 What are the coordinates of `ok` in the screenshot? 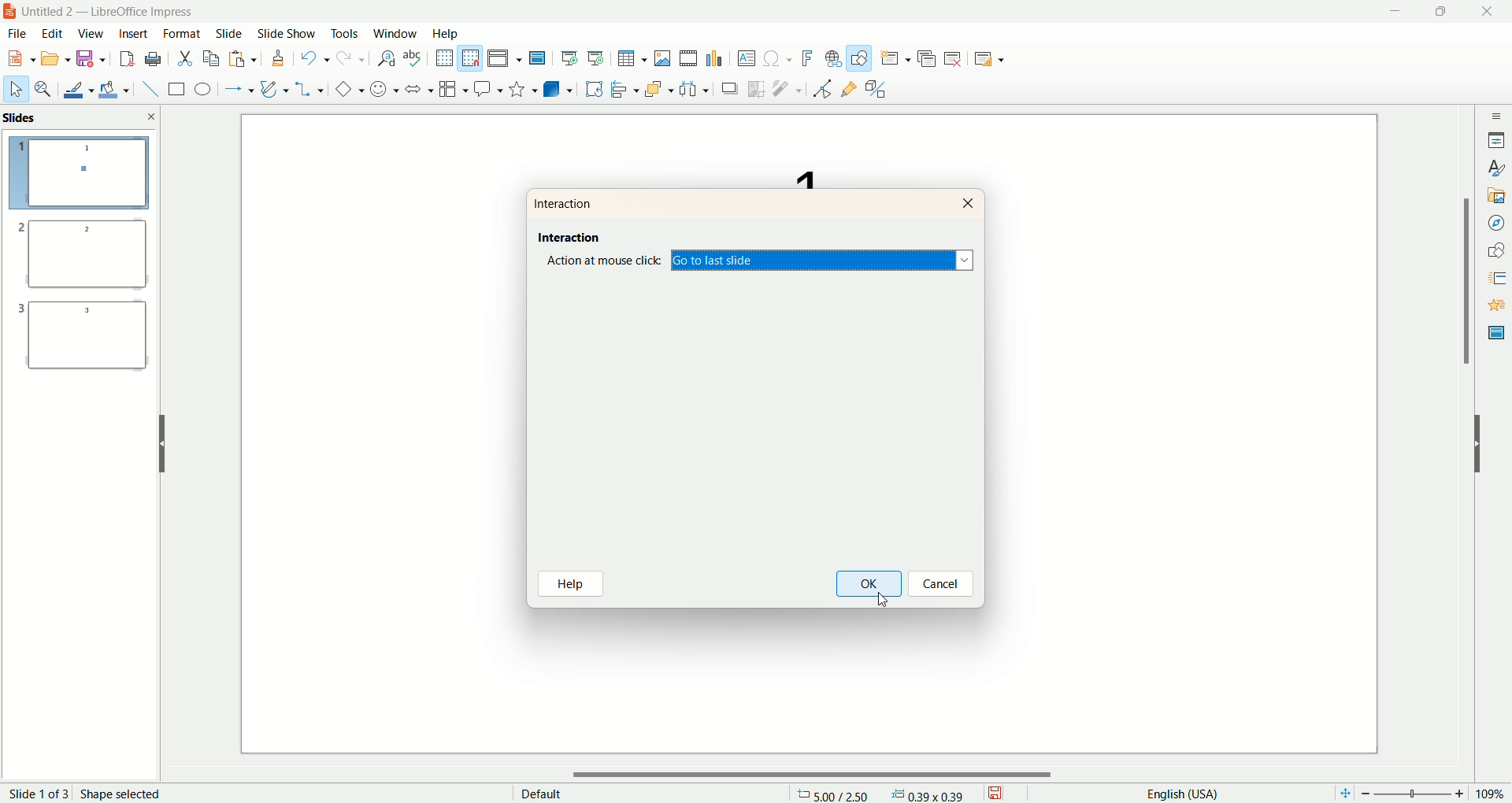 It's located at (872, 584).